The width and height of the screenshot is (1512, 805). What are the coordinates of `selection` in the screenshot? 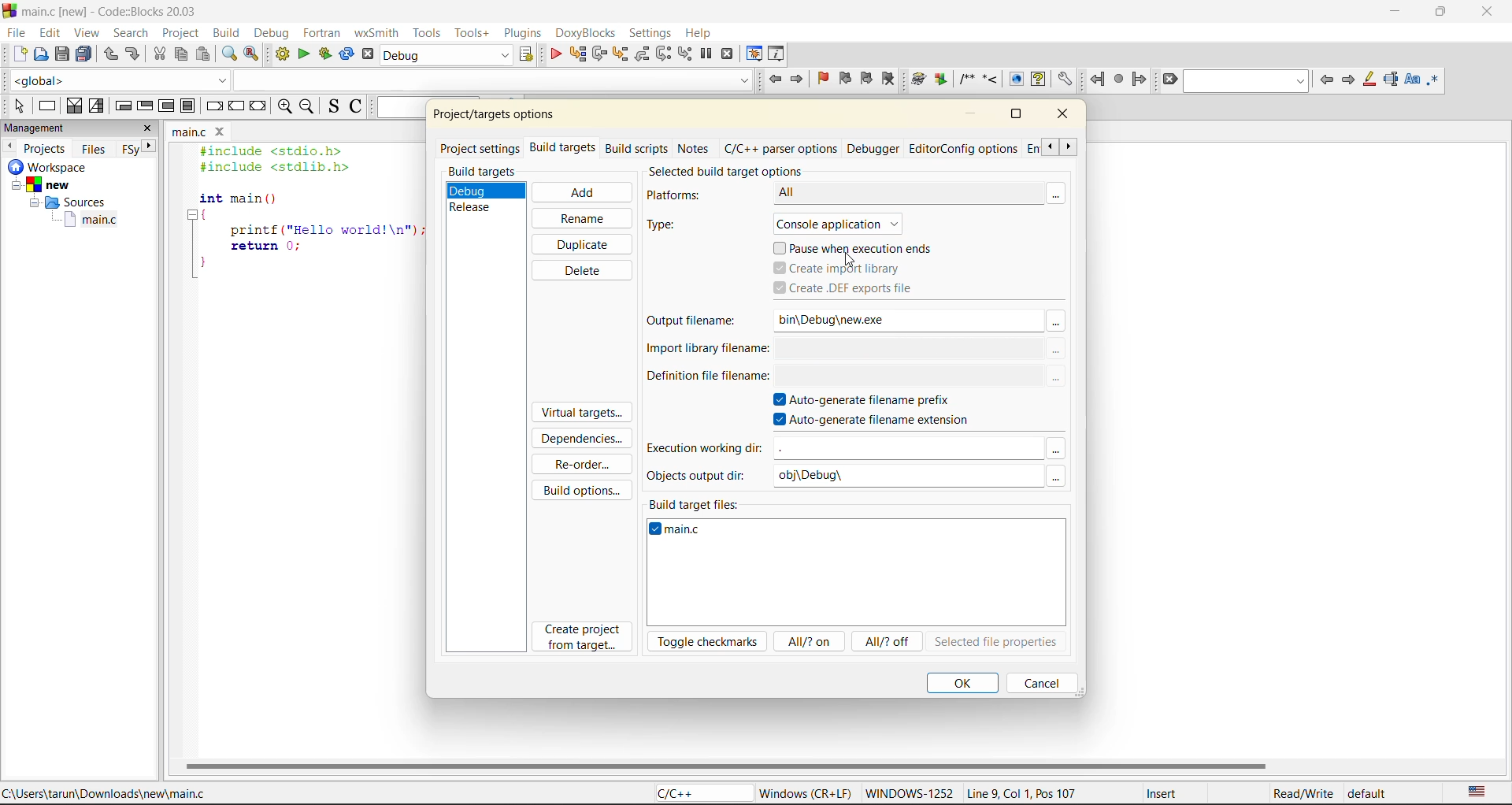 It's located at (98, 106).